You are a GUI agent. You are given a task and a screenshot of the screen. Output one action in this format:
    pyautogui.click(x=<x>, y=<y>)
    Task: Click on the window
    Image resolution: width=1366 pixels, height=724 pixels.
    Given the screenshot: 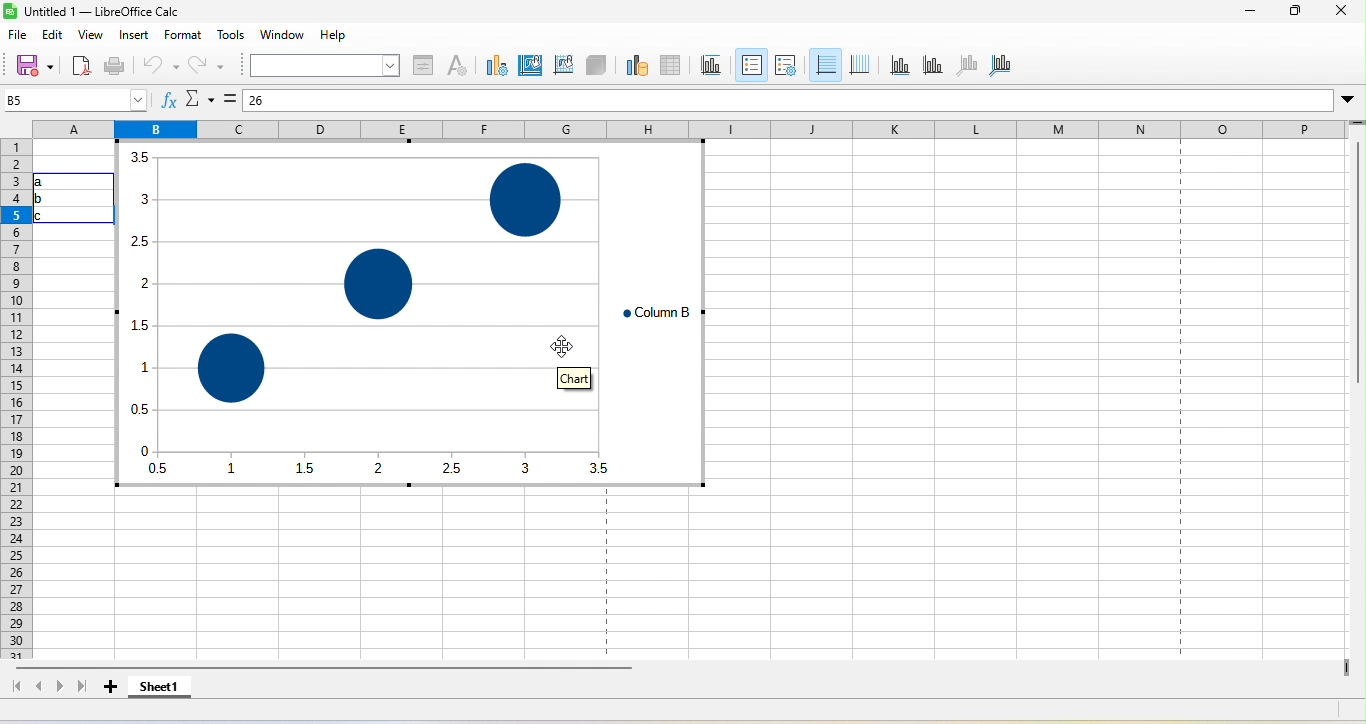 What is the action you would take?
    pyautogui.click(x=286, y=35)
    